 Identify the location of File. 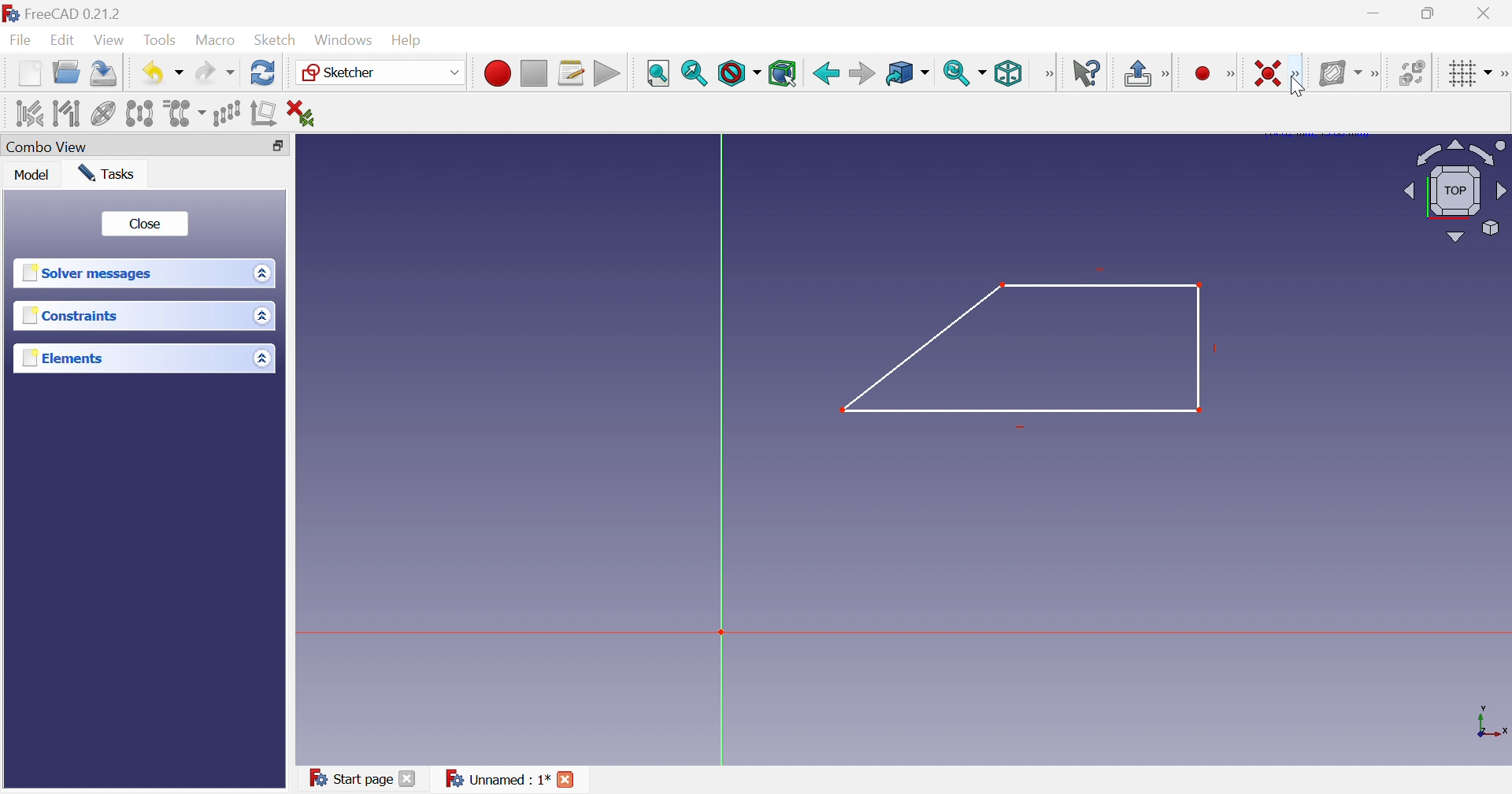
(20, 42).